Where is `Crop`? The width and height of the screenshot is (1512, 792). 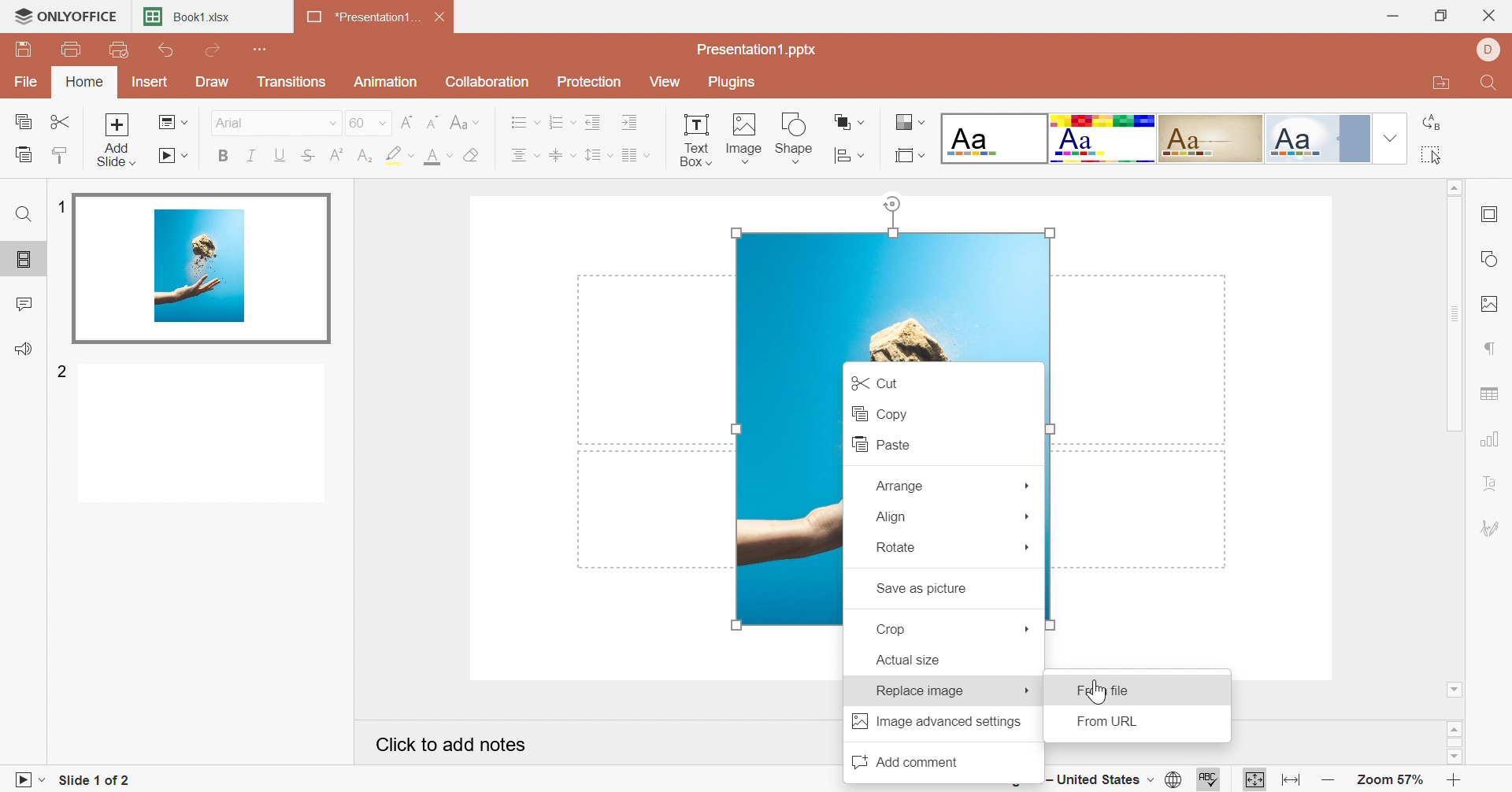
Crop is located at coordinates (897, 629).